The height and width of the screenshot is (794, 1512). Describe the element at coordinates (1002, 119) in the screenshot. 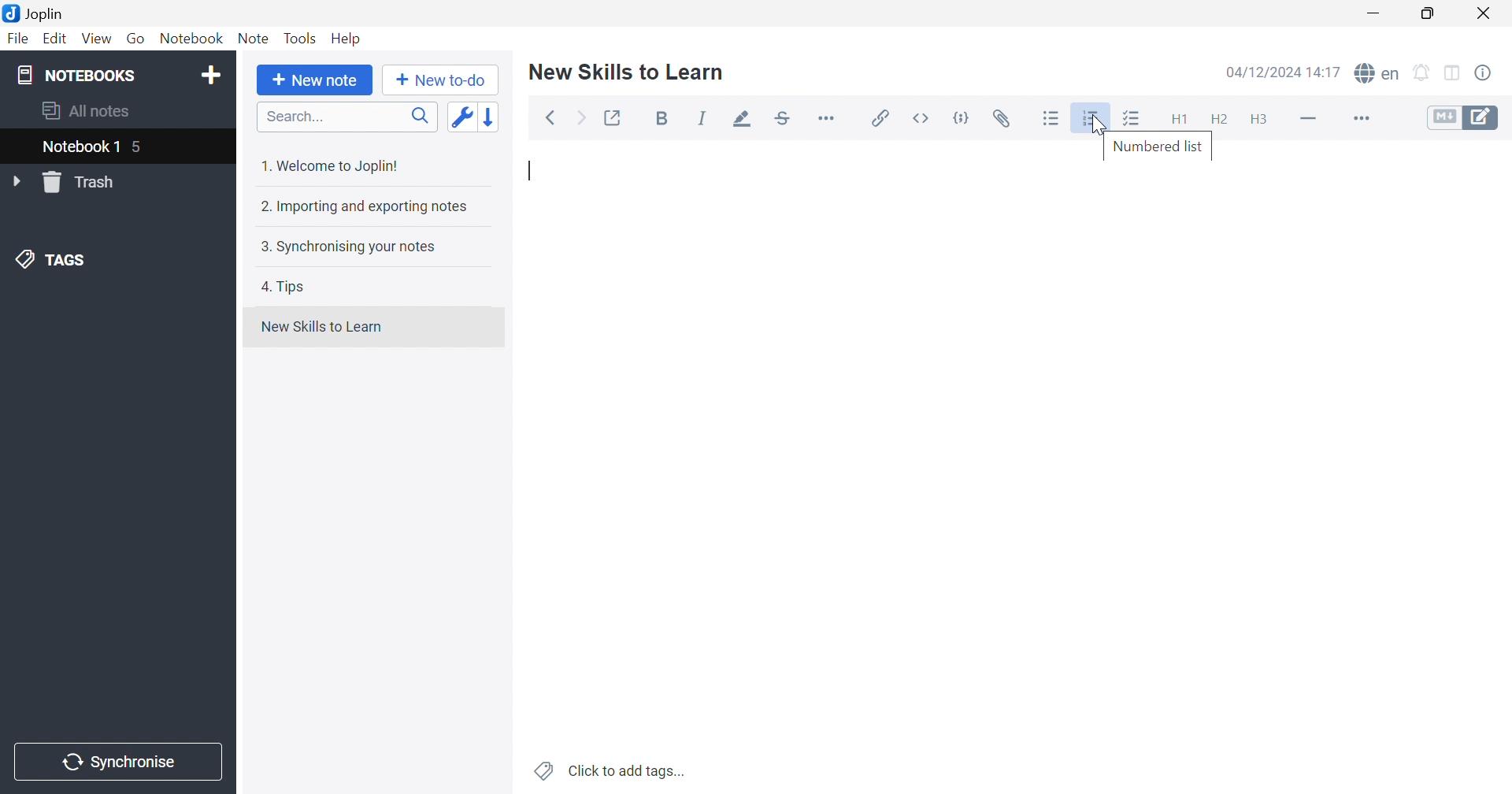

I see `Attach file` at that location.